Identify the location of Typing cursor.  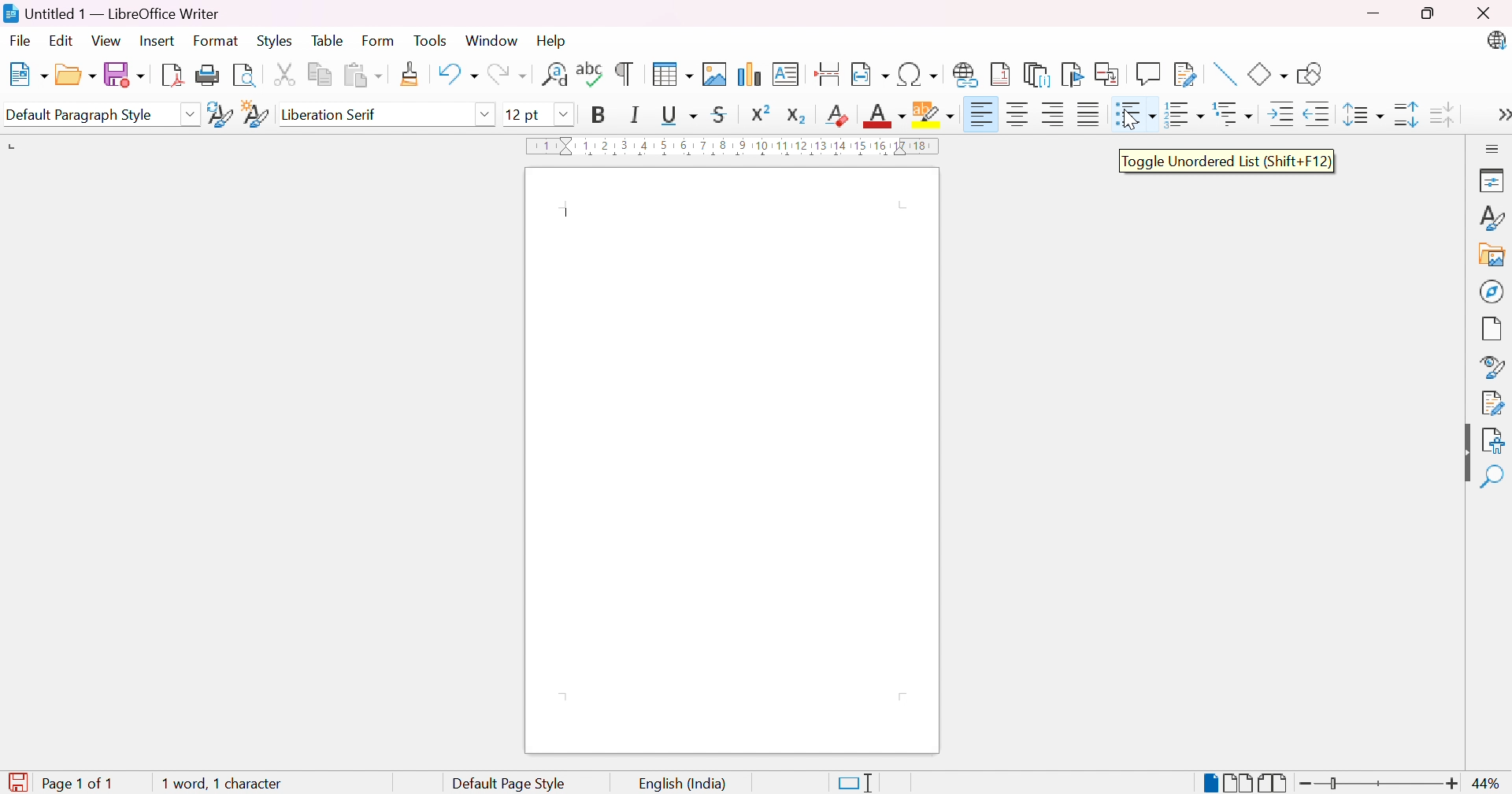
(570, 214).